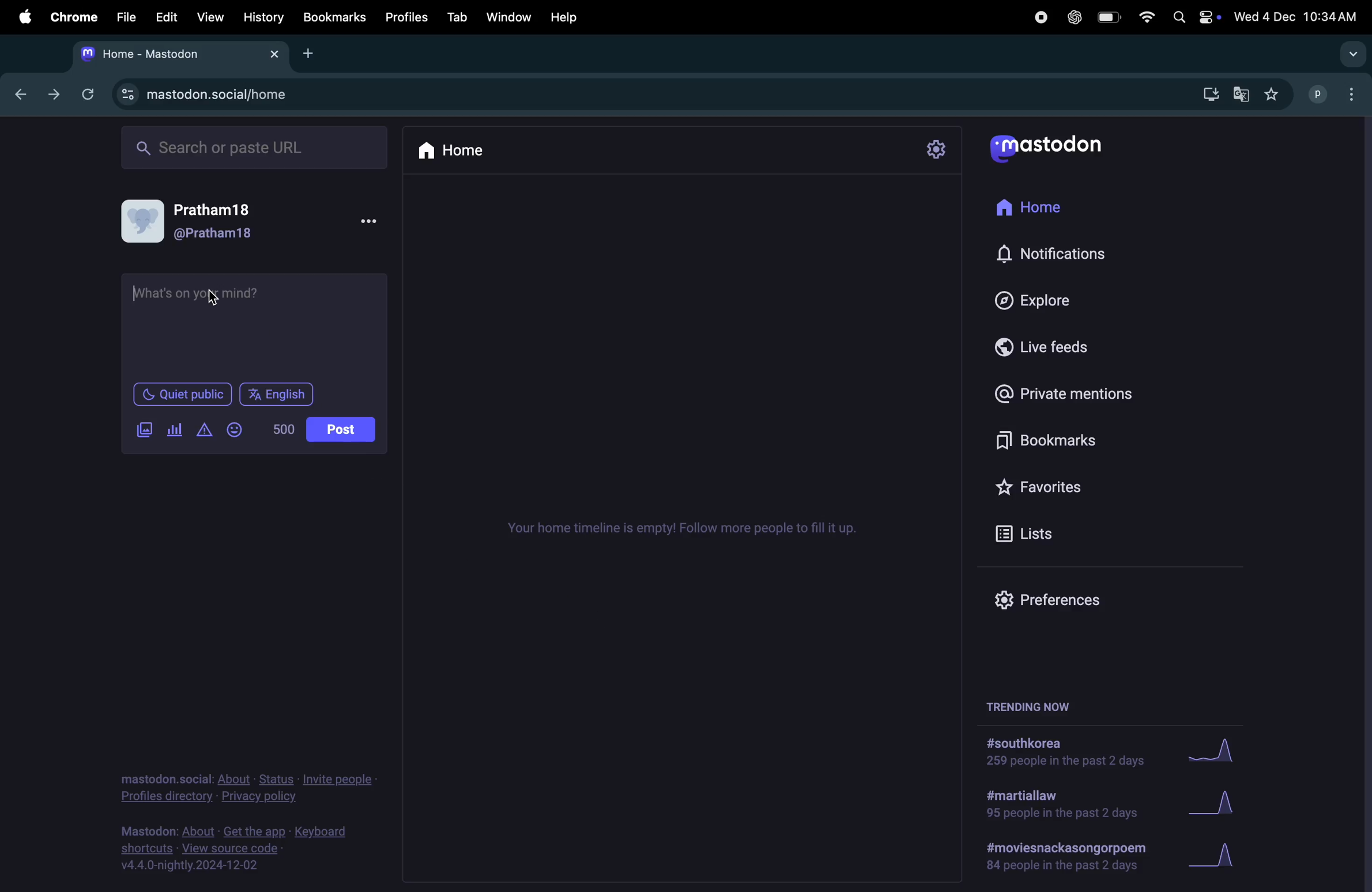  What do you see at coordinates (148, 430) in the screenshot?
I see `add images` at bounding box center [148, 430].